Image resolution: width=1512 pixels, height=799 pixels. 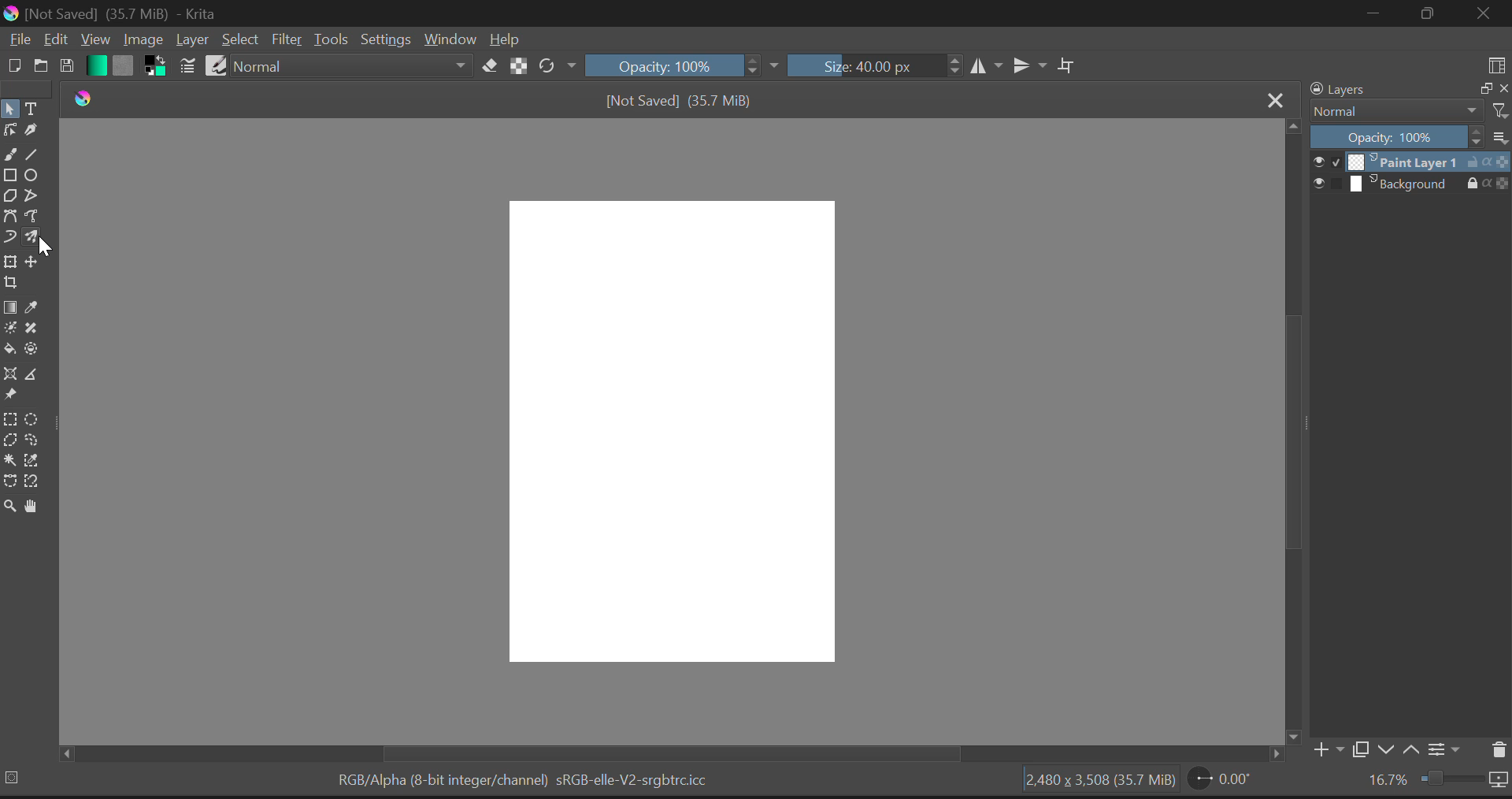 What do you see at coordinates (1294, 738) in the screenshot?
I see `` at bounding box center [1294, 738].